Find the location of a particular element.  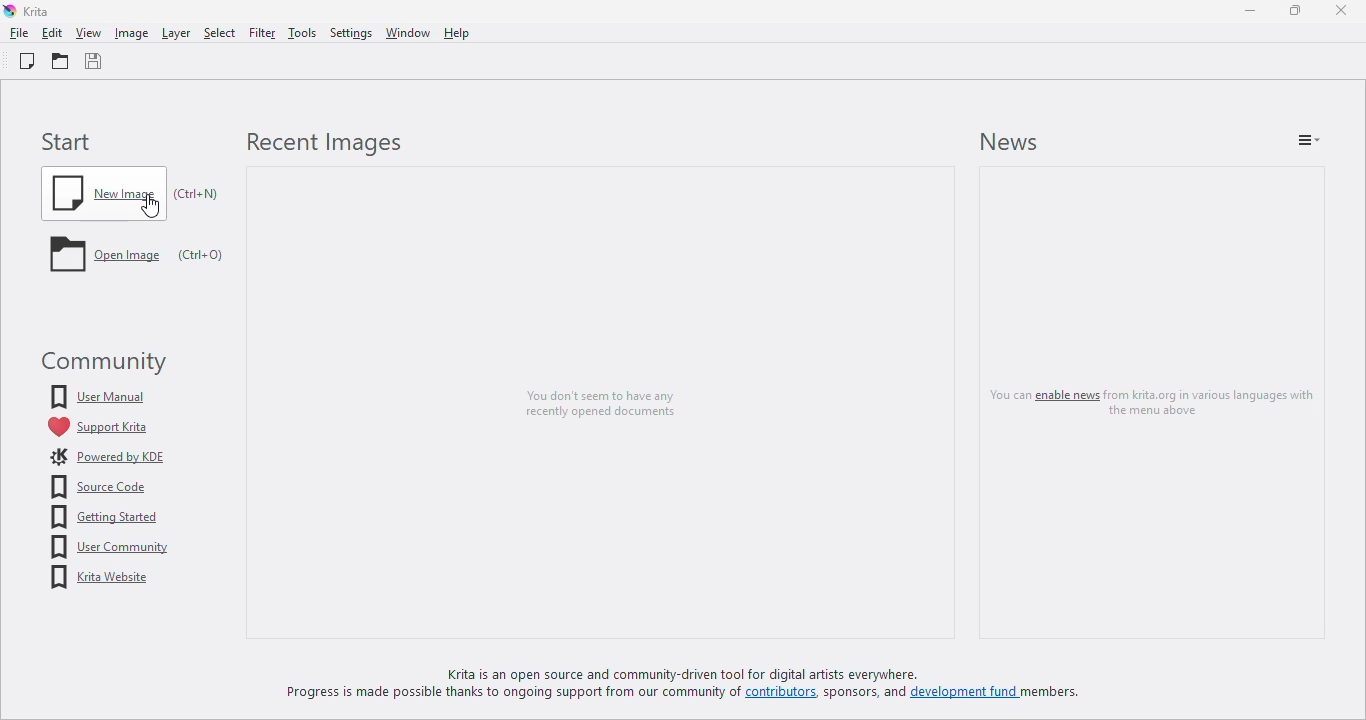

members. is located at coordinates (1057, 696).